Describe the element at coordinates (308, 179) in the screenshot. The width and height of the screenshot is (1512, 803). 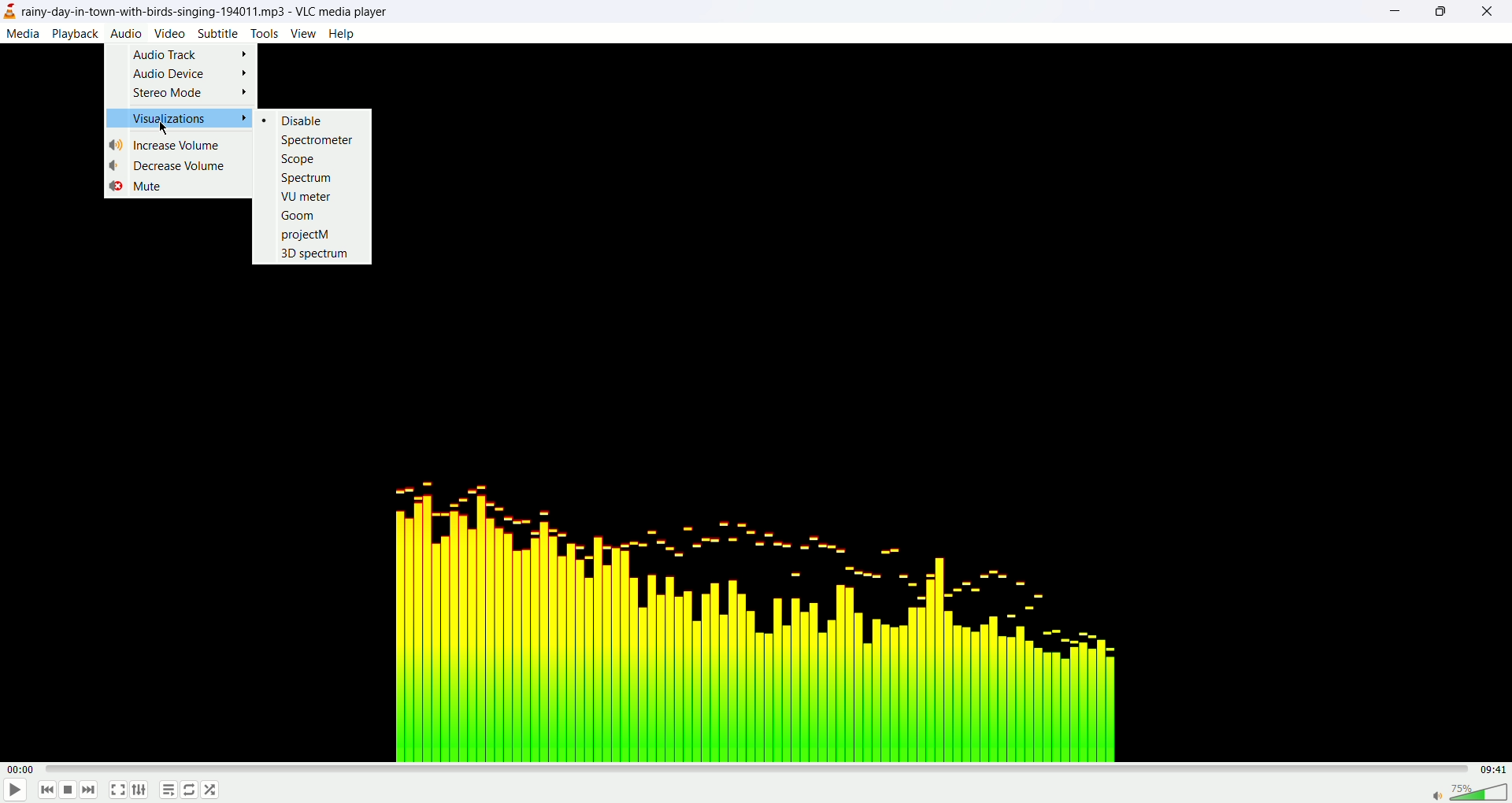
I see `spectrum` at that location.